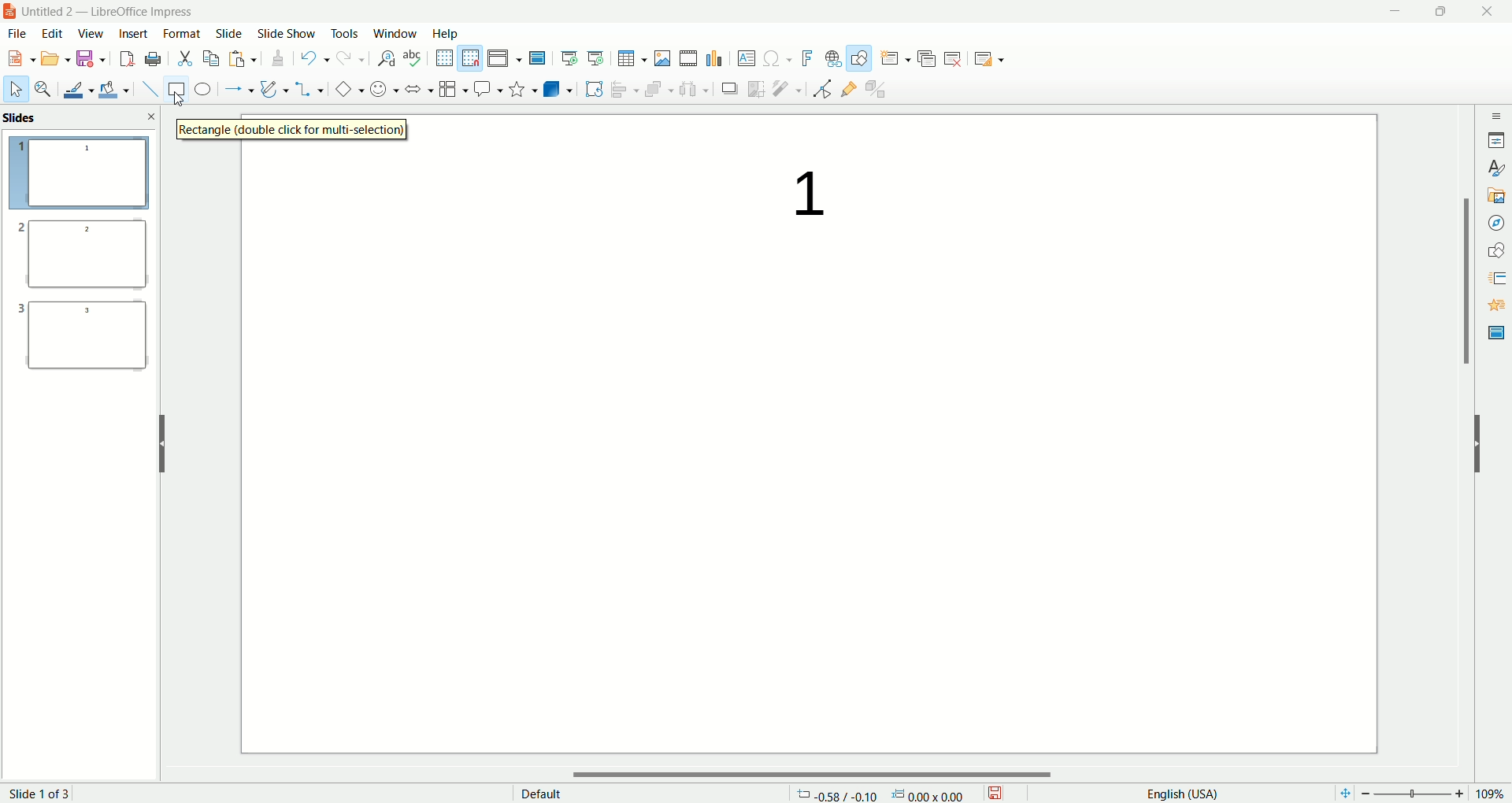  I want to click on text, so click(795, 195).